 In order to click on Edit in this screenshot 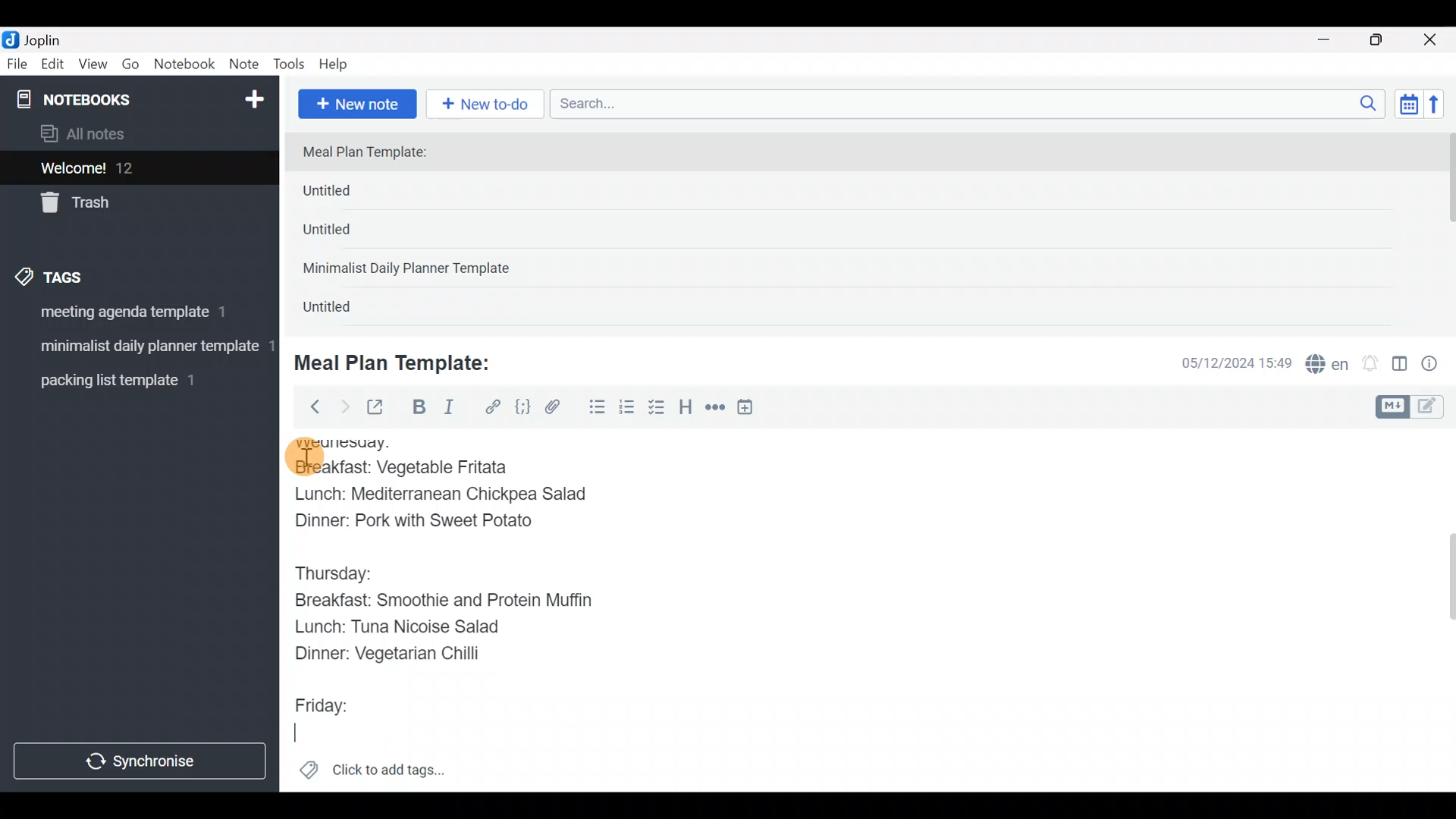, I will do `click(53, 67)`.